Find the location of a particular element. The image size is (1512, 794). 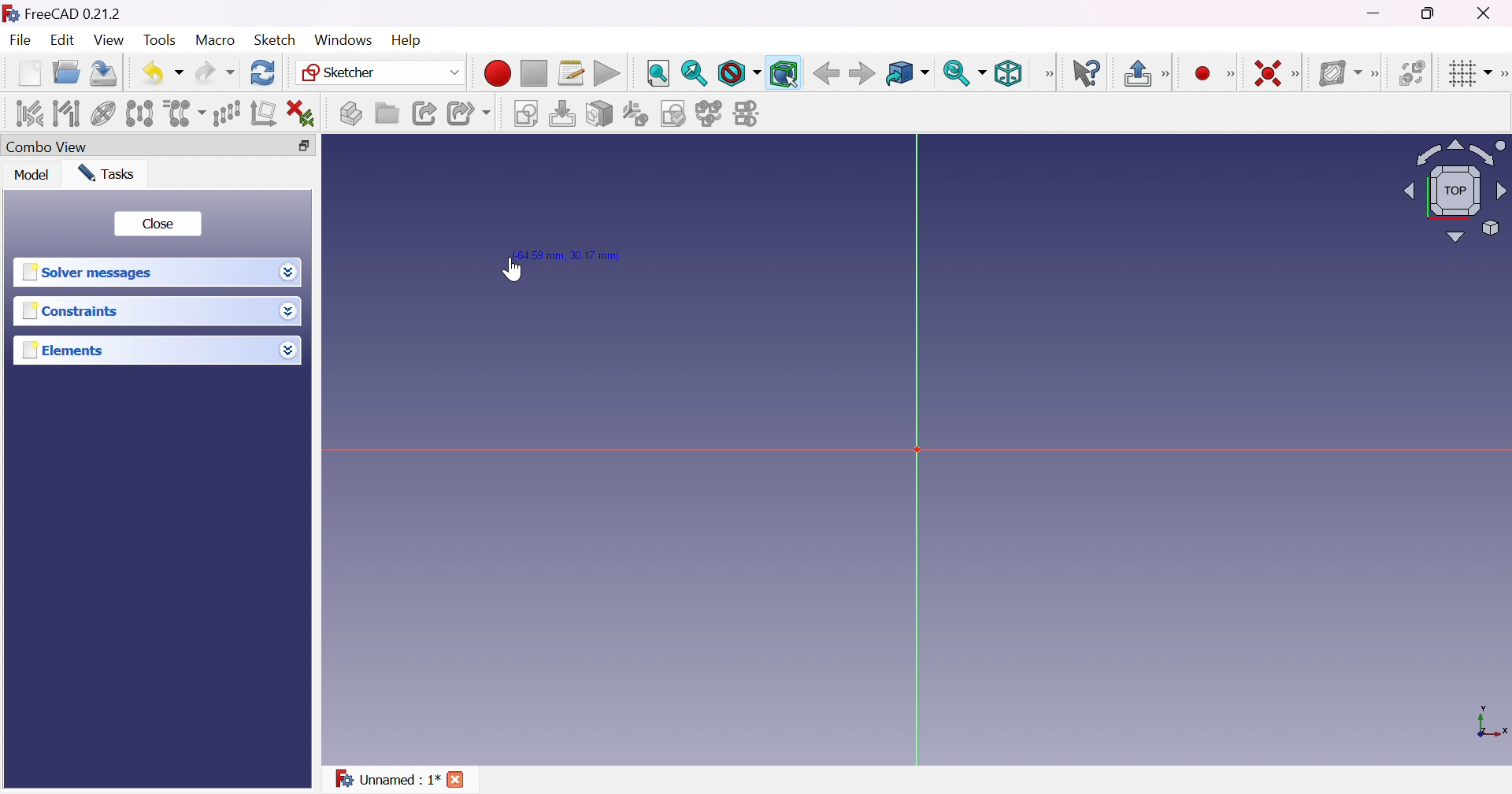

Restore down is located at coordinates (1431, 13).